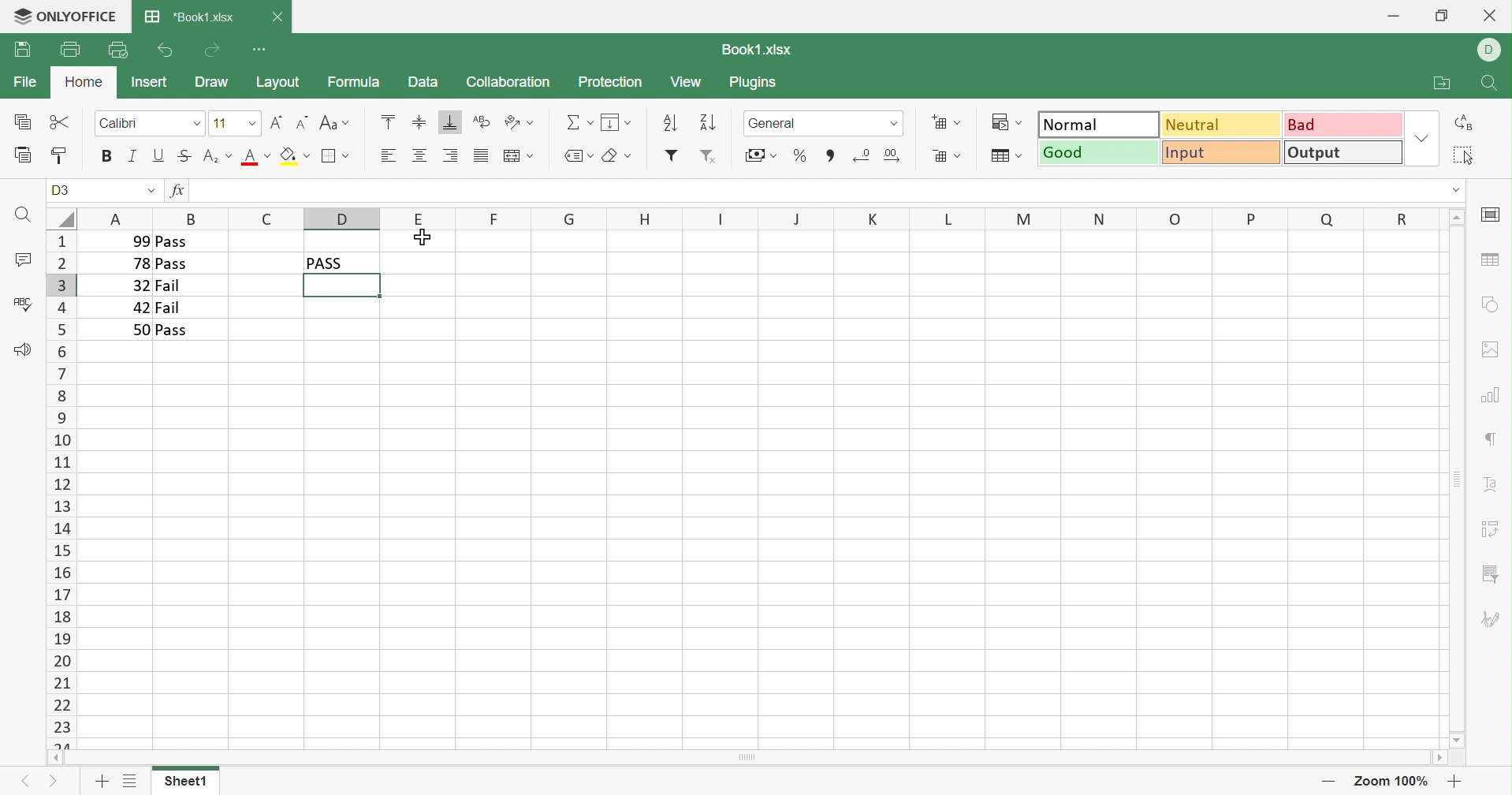  What do you see at coordinates (70, 49) in the screenshot?
I see `Print file` at bounding box center [70, 49].